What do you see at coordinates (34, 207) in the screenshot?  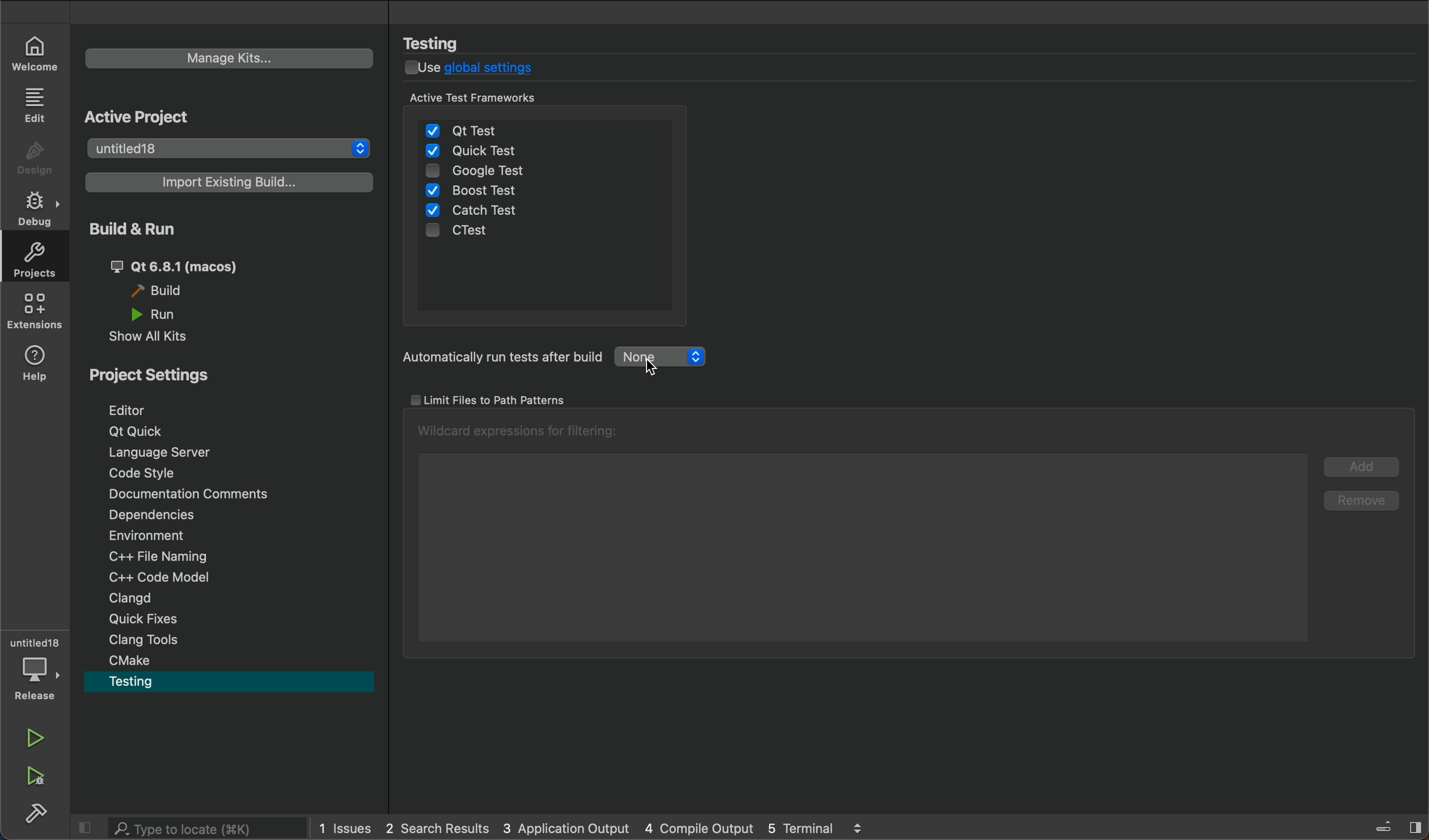 I see `debug` at bounding box center [34, 207].